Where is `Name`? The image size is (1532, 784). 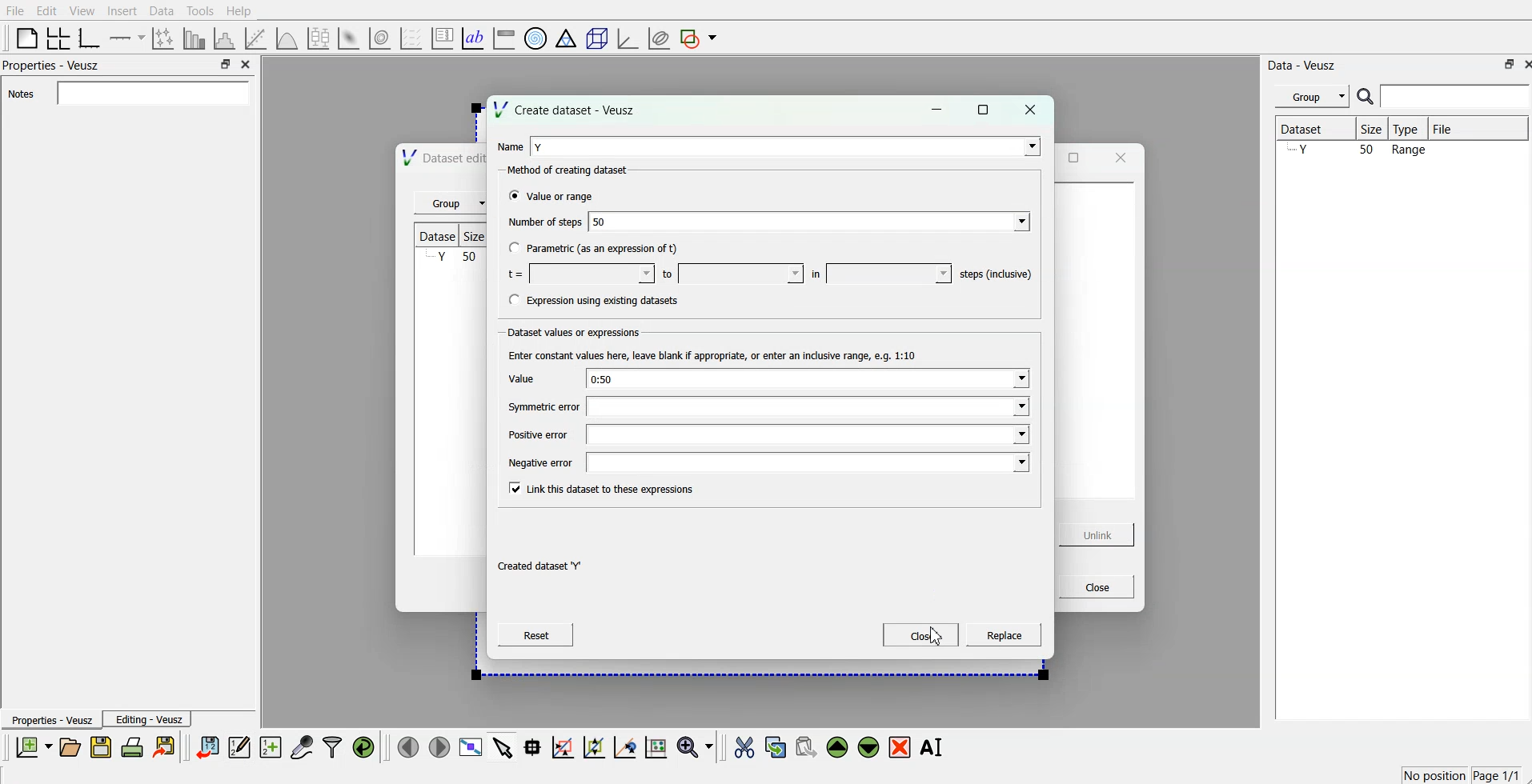
Name is located at coordinates (508, 145).